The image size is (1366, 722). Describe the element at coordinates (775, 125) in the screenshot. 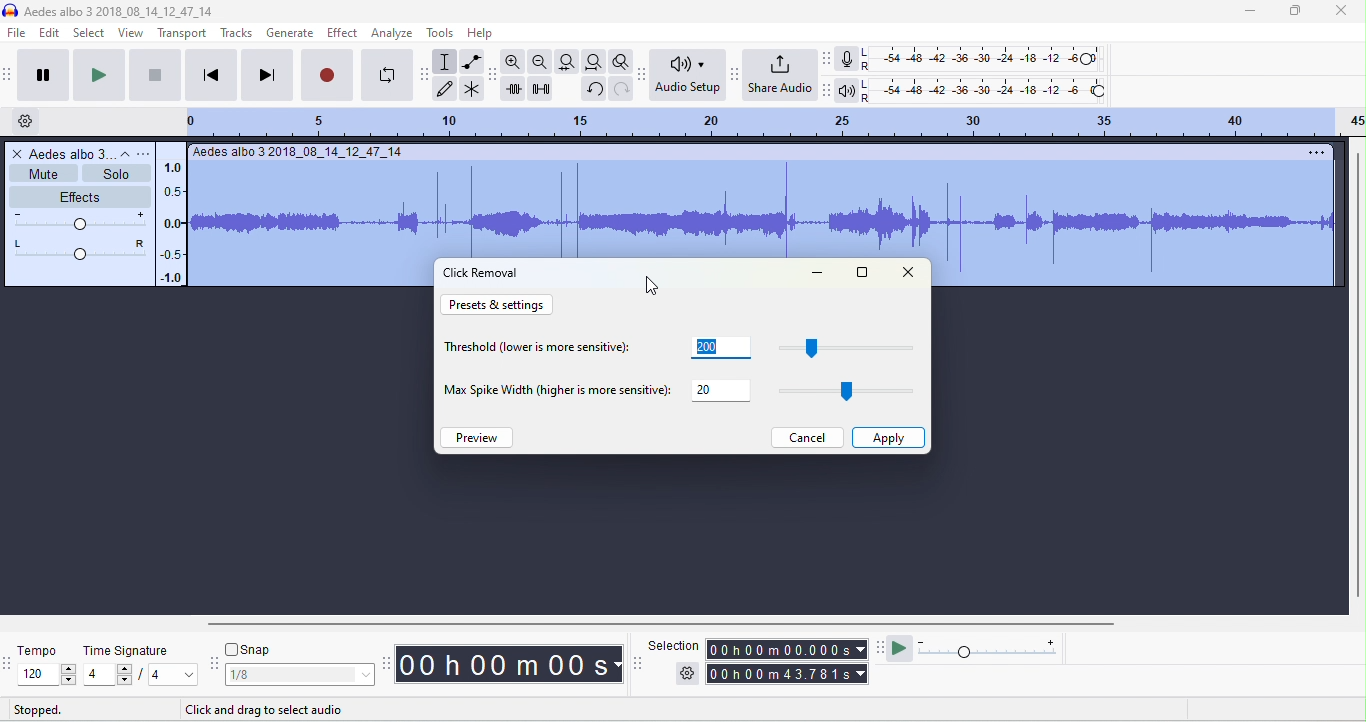

I see `looping region` at that location.